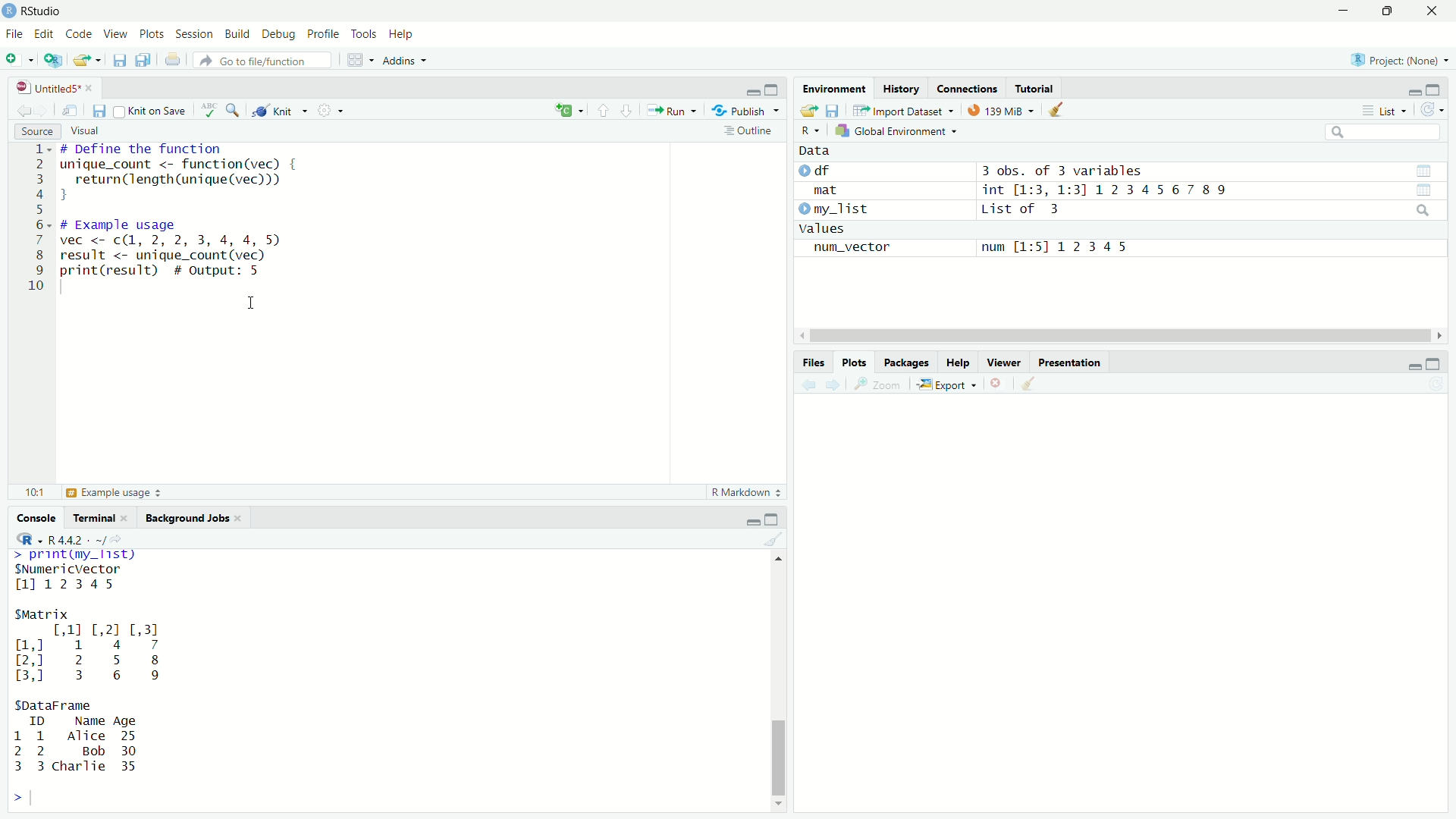 The width and height of the screenshot is (1456, 819). I want to click on List, so click(1385, 111).